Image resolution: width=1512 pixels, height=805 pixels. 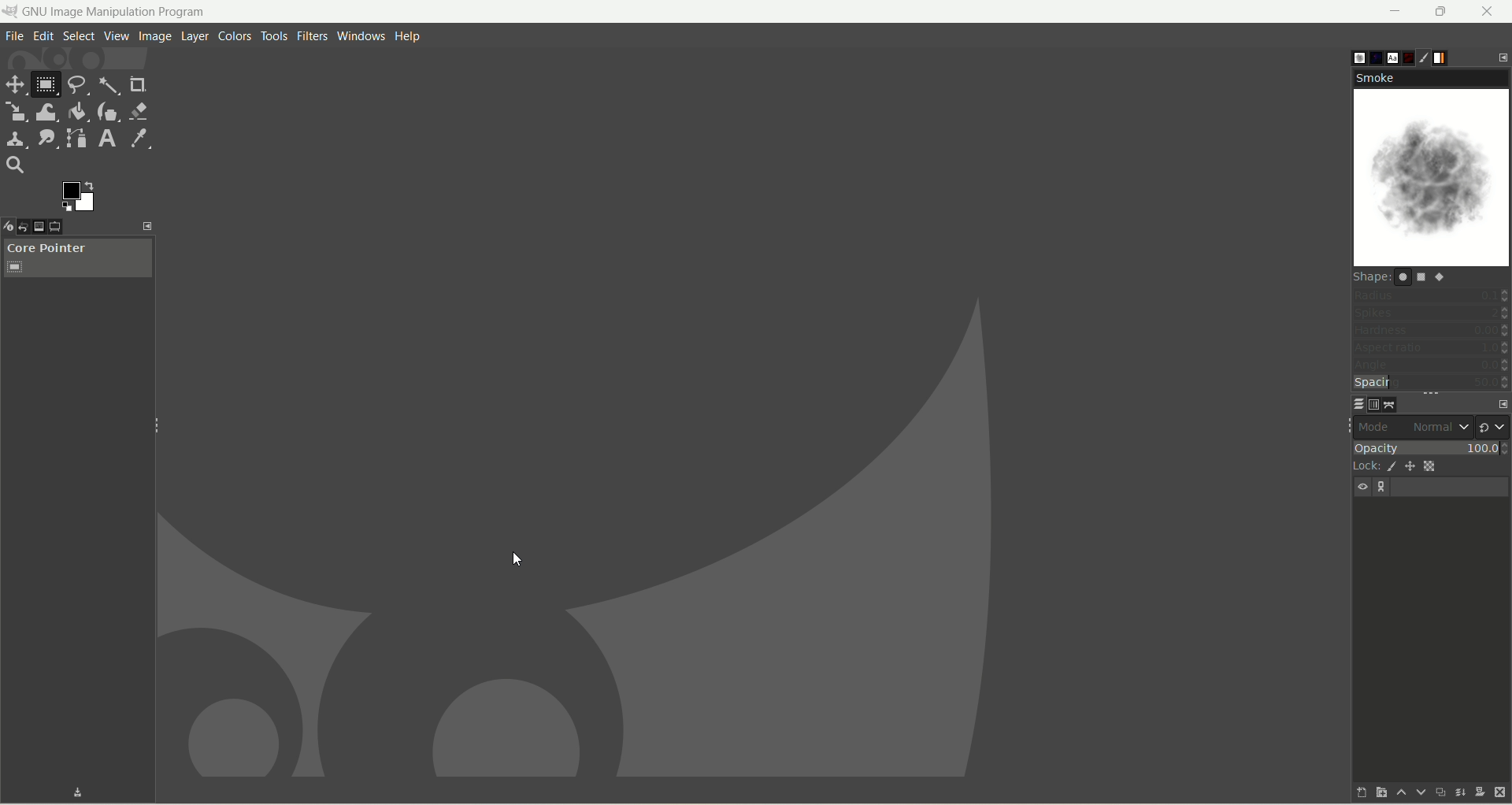 I want to click on brush, so click(x=1348, y=54).